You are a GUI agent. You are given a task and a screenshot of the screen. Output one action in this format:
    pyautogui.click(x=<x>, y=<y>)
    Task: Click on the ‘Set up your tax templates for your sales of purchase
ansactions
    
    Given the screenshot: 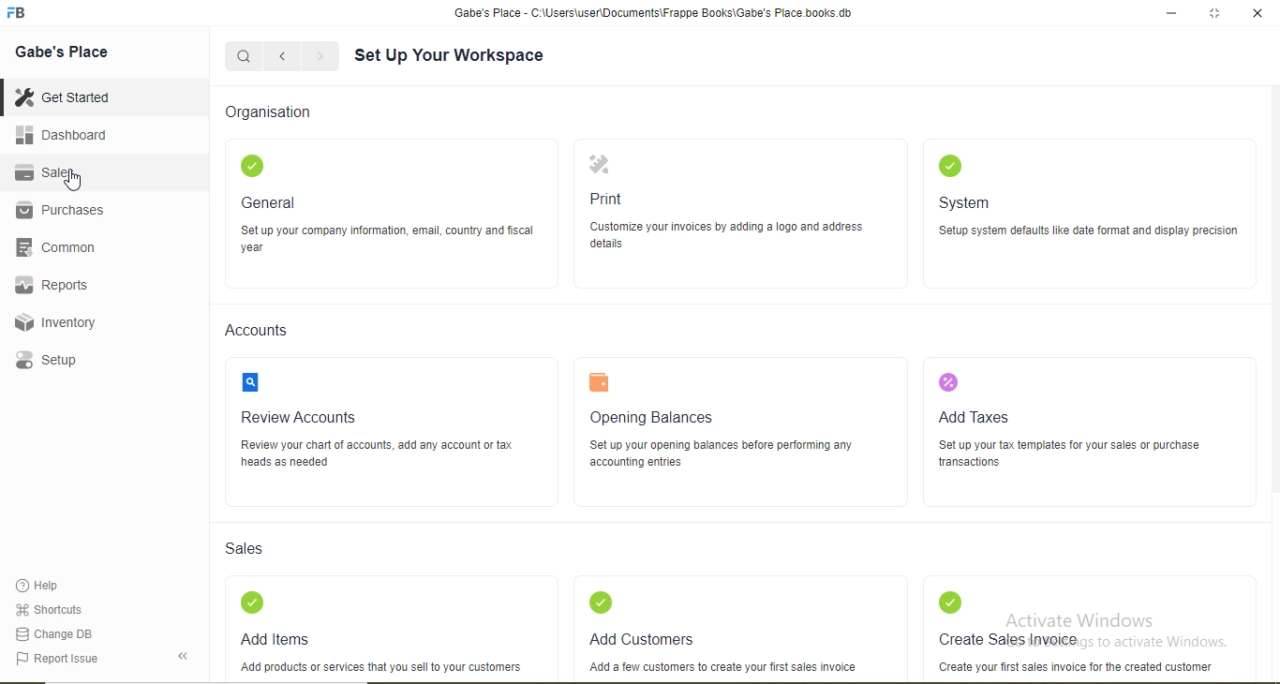 What is the action you would take?
    pyautogui.click(x=1071, y=453)
    